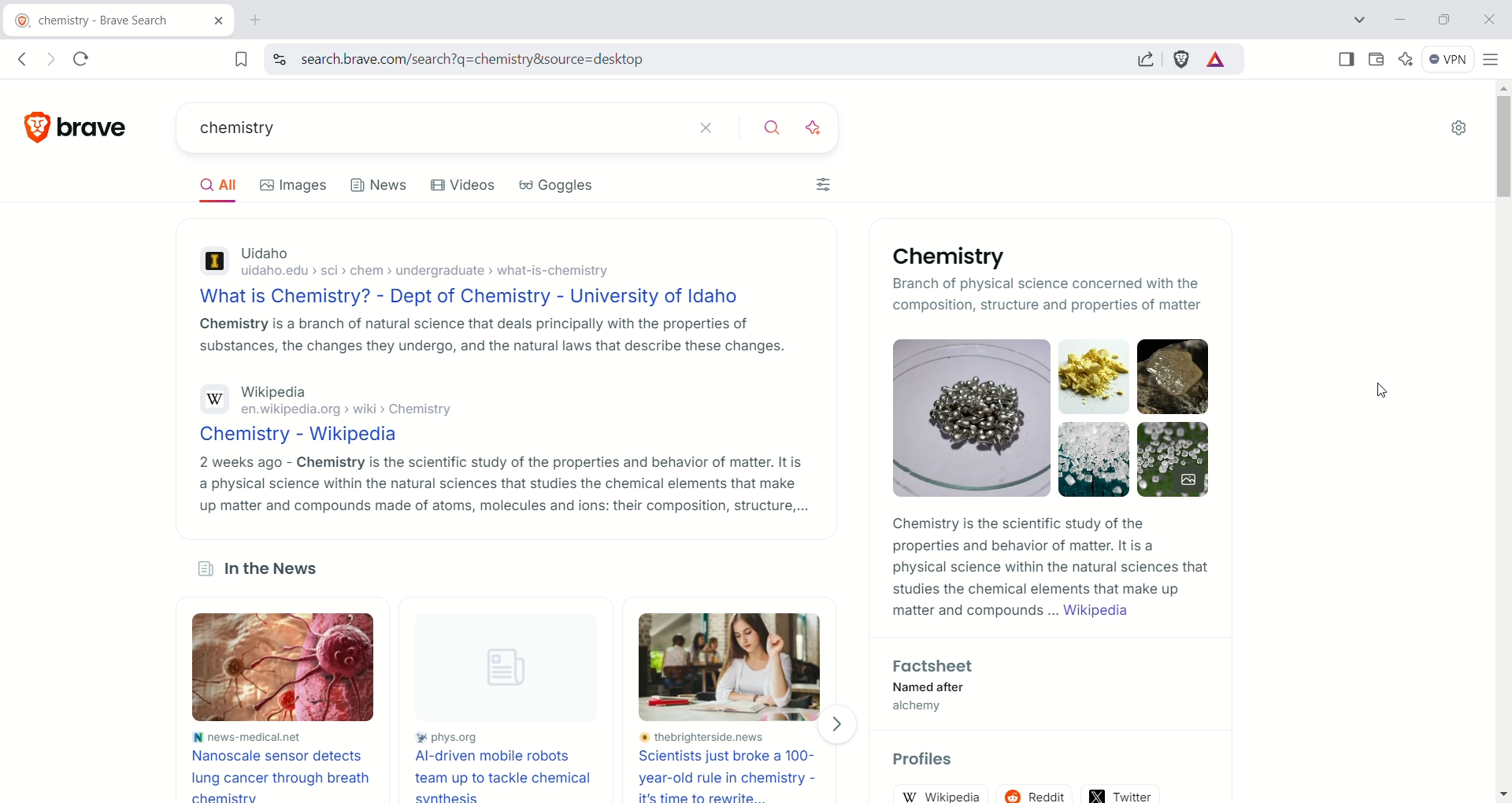 The image size is (1512, 803). Describe the element at coordinates (1458, 129) in the screenshot. I see `quick settings` at that location.